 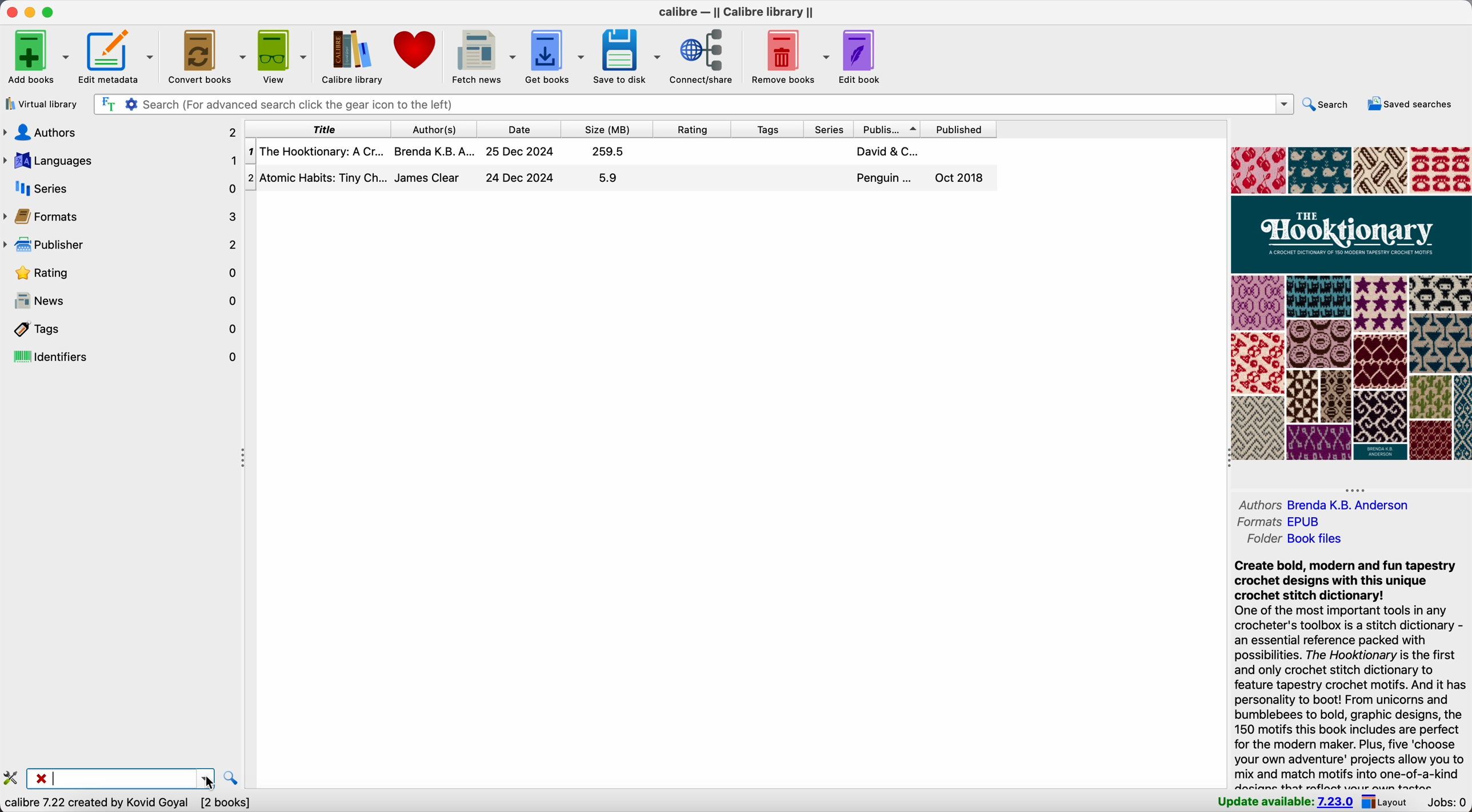 What do you see at coordinates (1283, 802) in the screenshot?
I see `update available` at bounding box center [1283, 802].